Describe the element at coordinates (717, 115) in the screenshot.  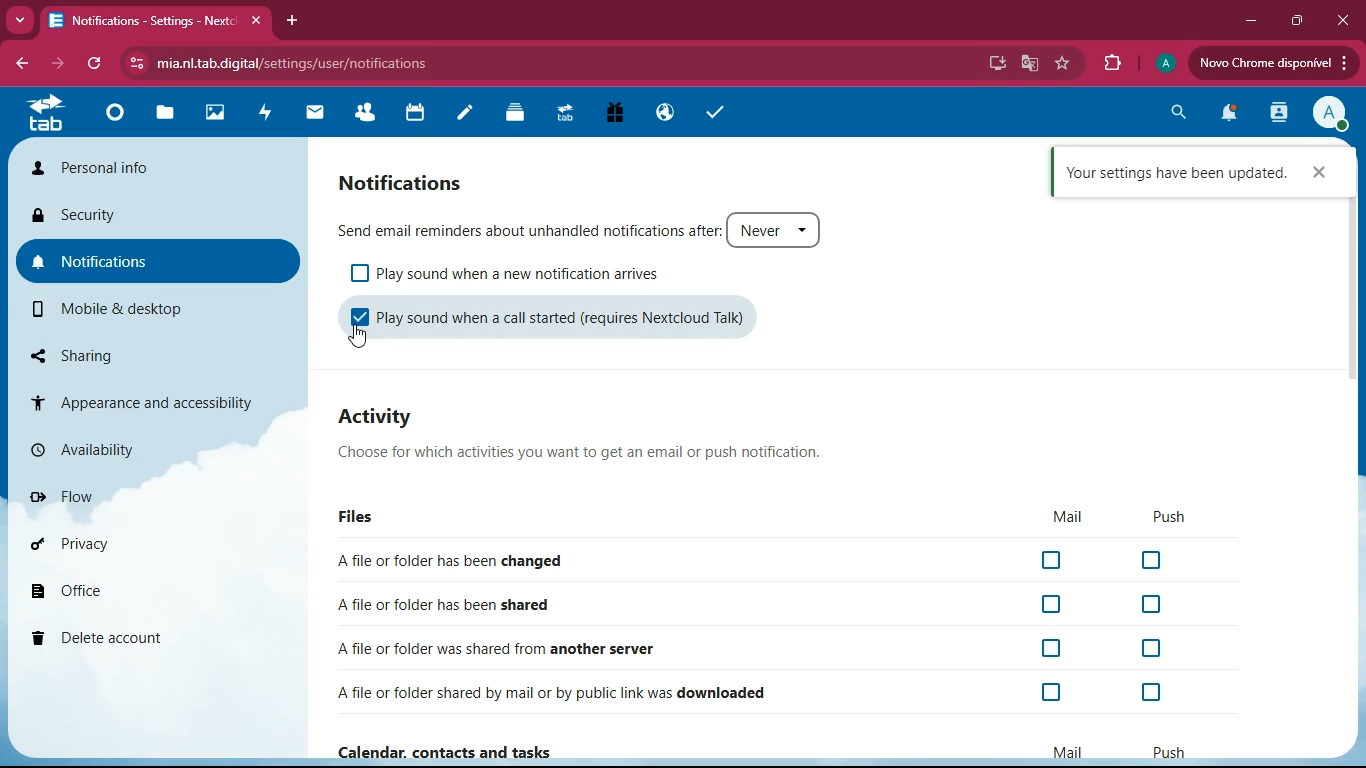
I see `tasks` at that location.